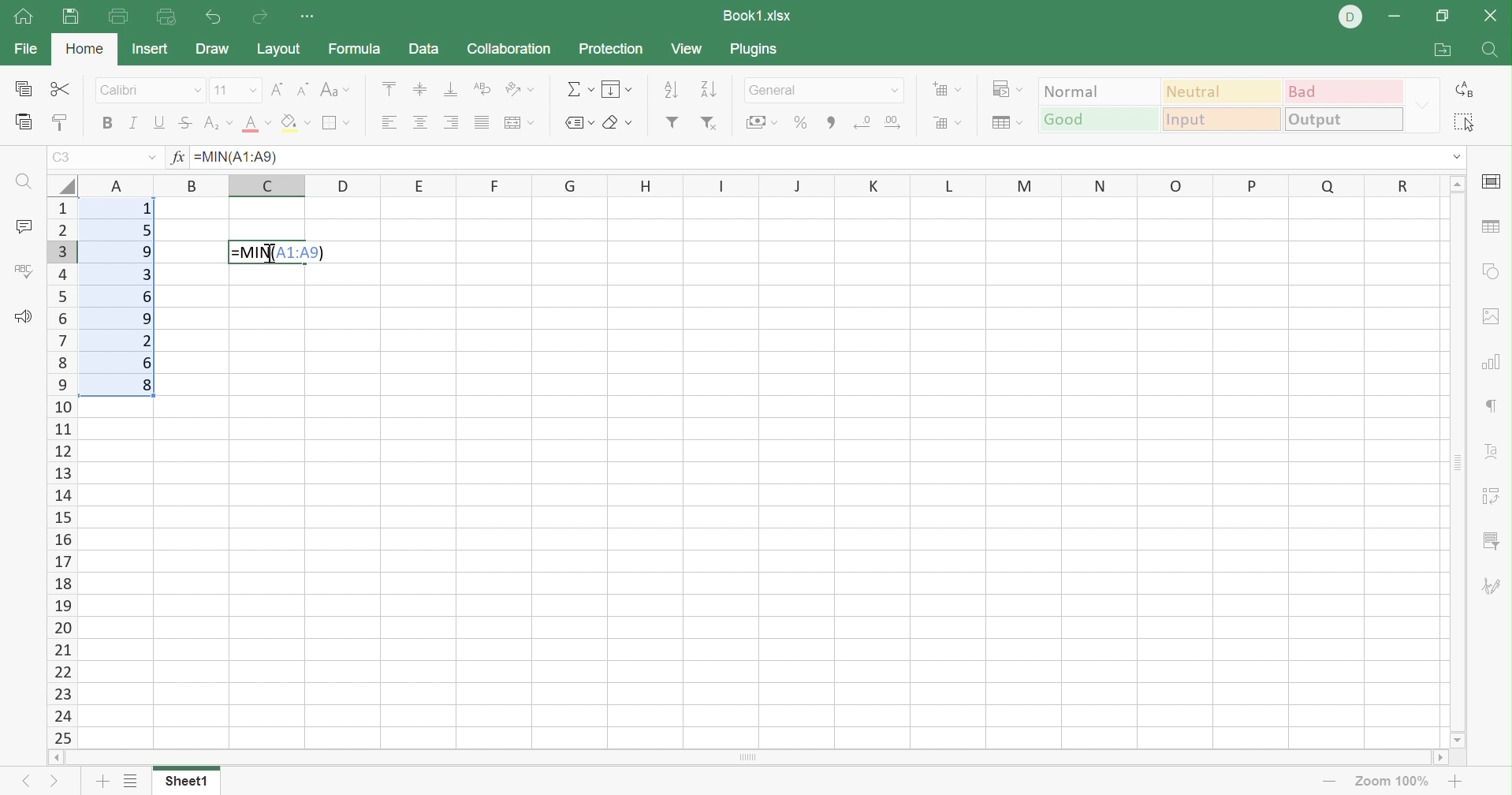 This screenshot has width=1512, height=795. What do you see at coordinates (177, 159) in the screenshot?
I see `fx` at bounding box center [177, 159].